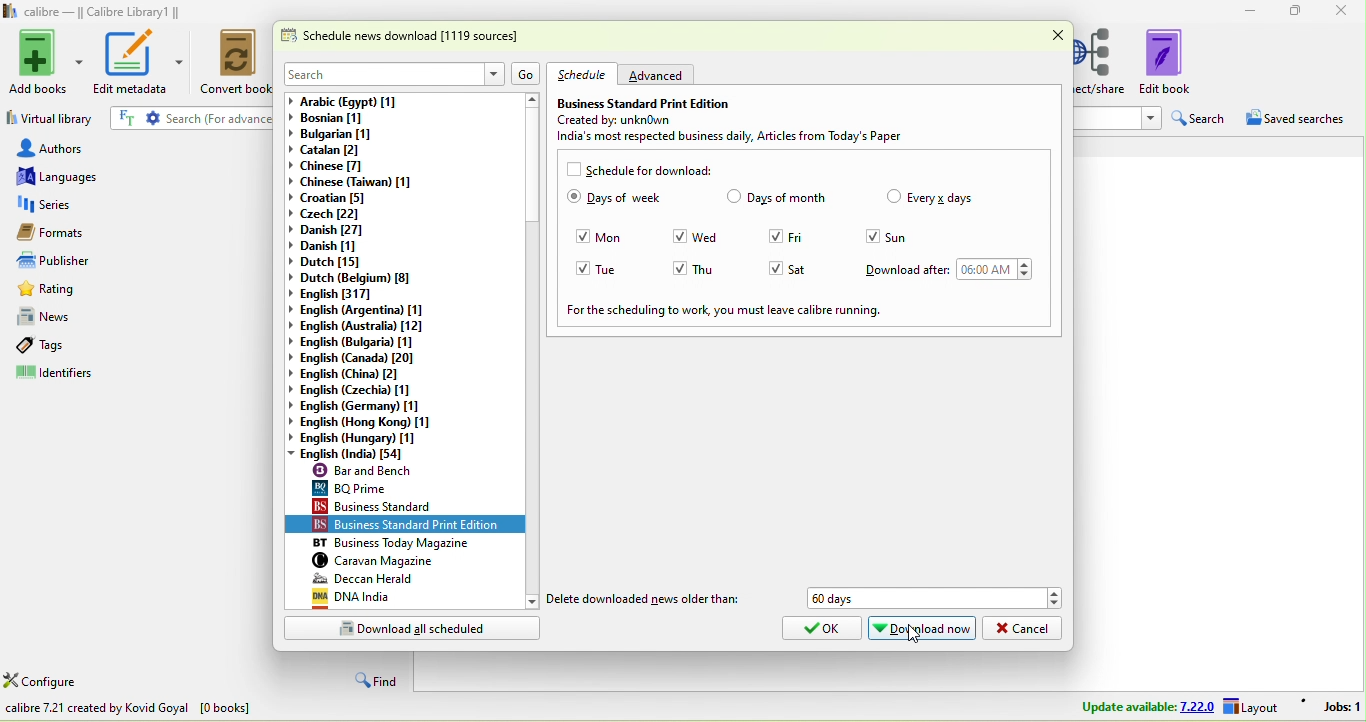 The image size is (1366, 722). What do you see at coordinates (528, 74) in the screenshot?
I see `go` at bounding box center [528, 74].